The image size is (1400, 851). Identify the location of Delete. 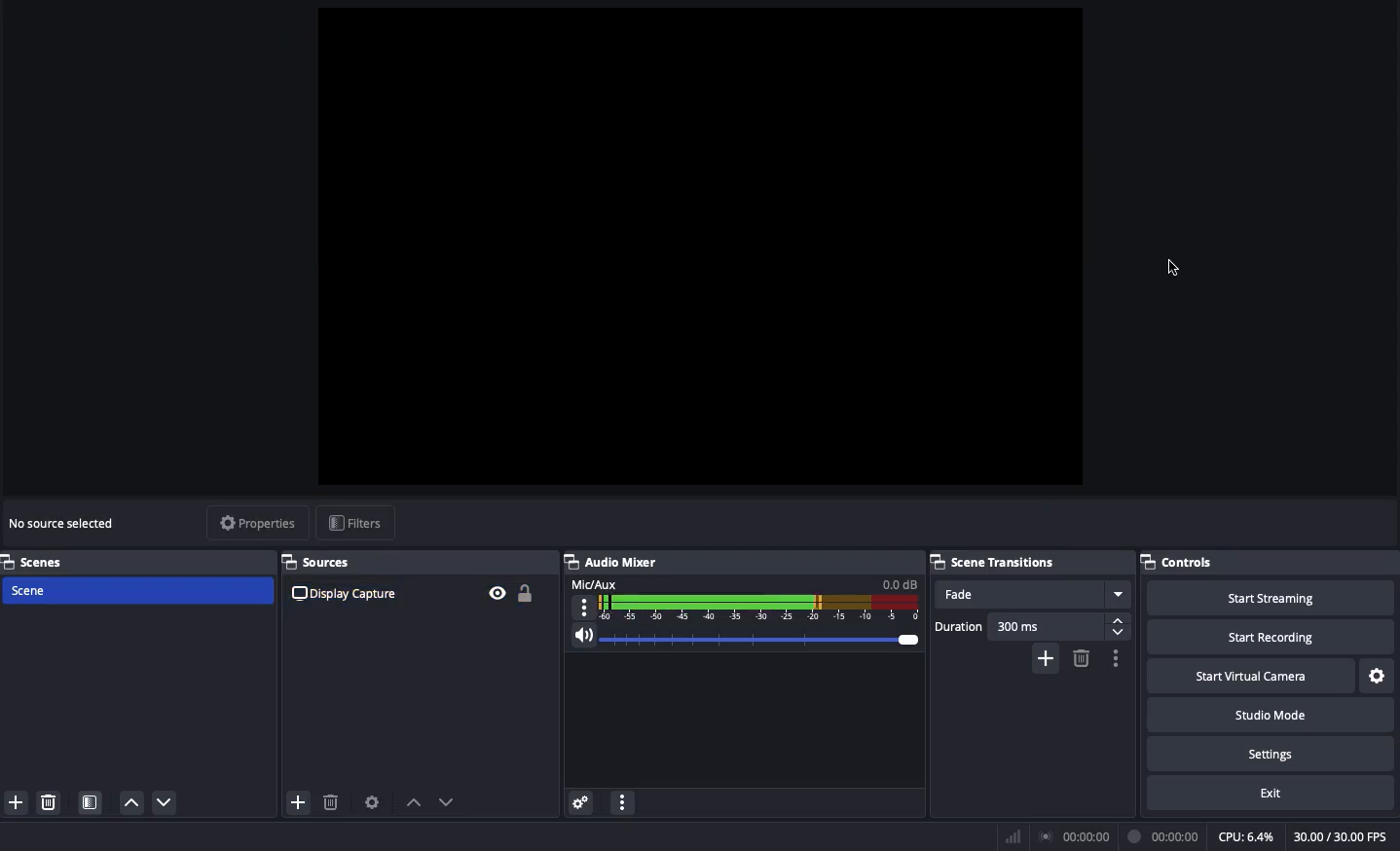
(1080, 658).